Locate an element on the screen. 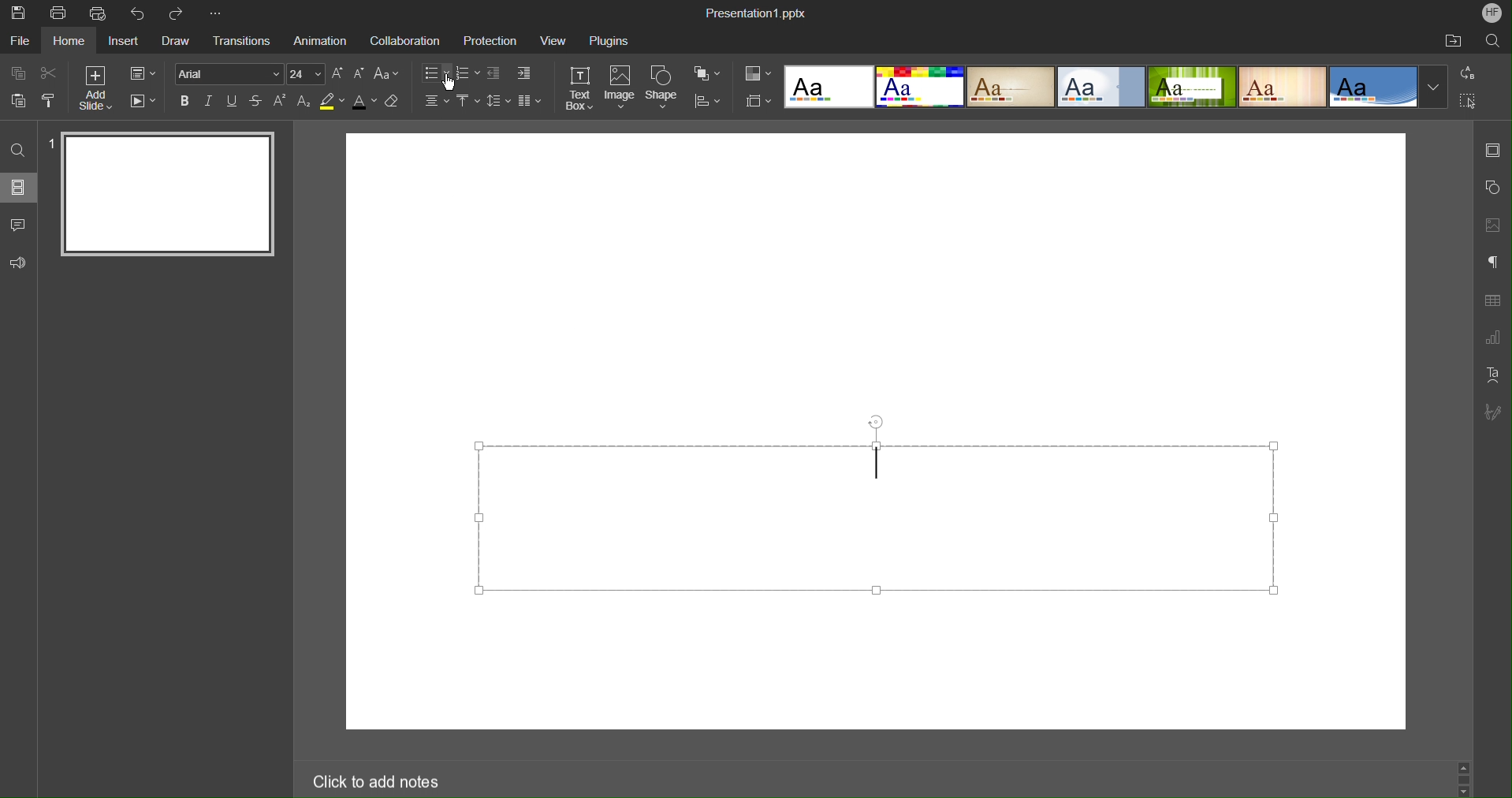 This screenshot has height=798, width=1512. Insert is located at coordinates (125, 41).